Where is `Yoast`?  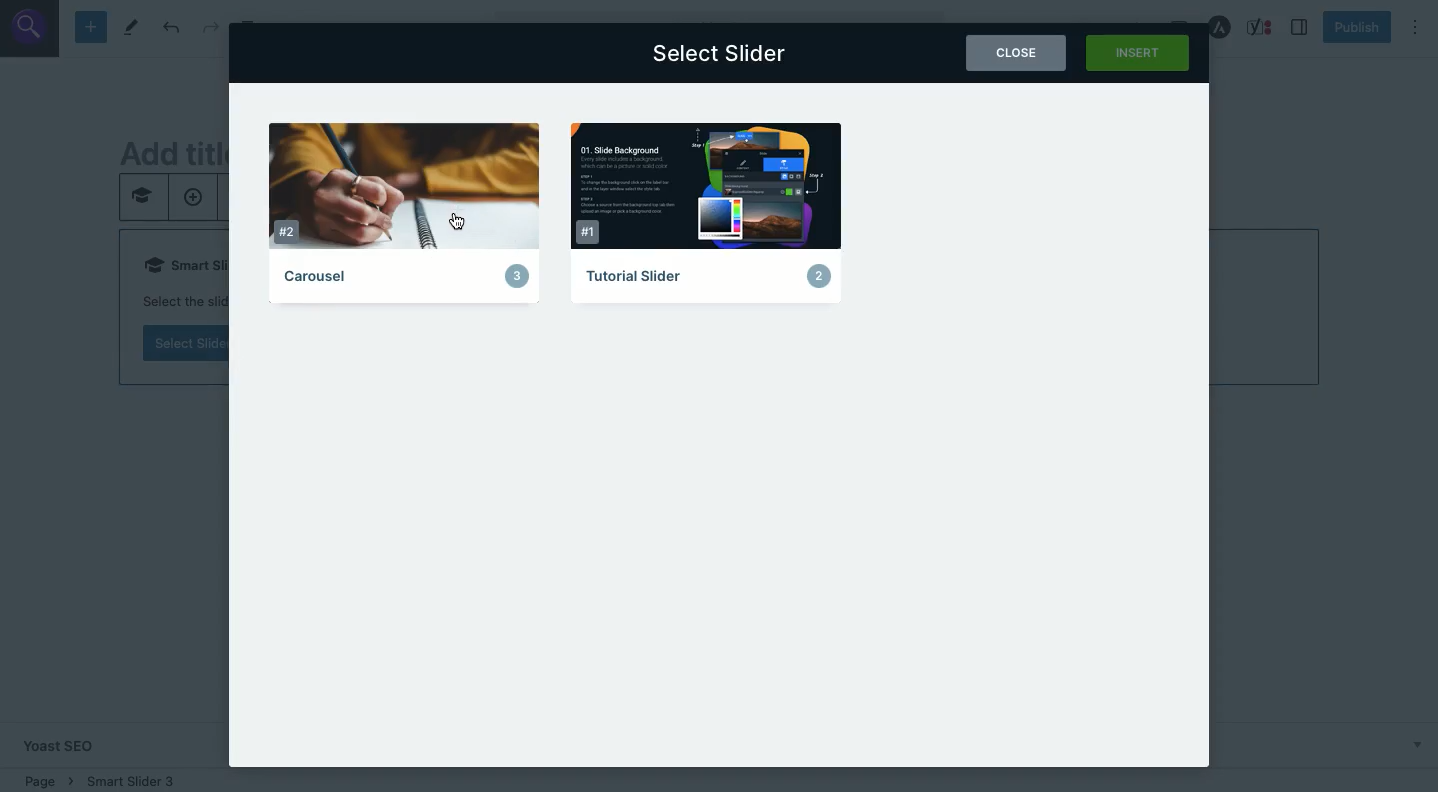 Yoast is located at coordinates (74, 744).